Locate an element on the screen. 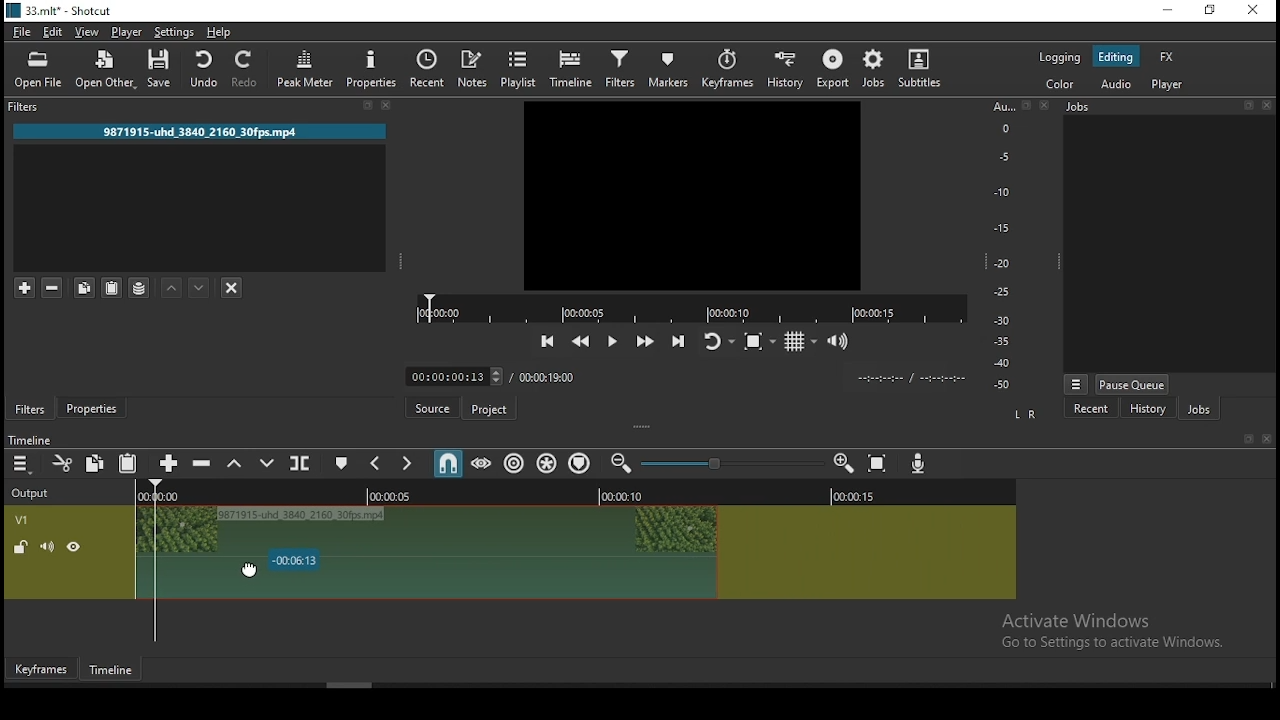 This screenshot has height=720, width=1280. show video volume control is located at coordinates (845, 339).